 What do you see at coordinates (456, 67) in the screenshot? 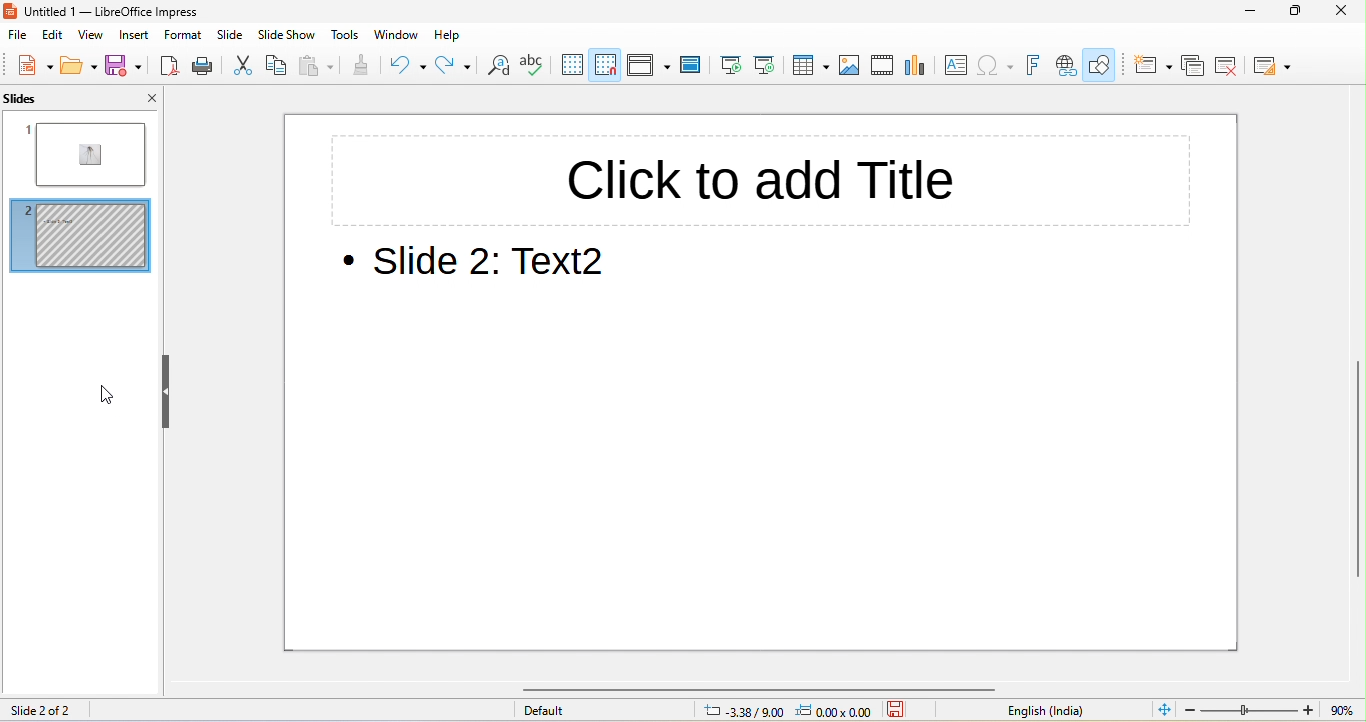
I see `redo` at bounding box center [456, 67].